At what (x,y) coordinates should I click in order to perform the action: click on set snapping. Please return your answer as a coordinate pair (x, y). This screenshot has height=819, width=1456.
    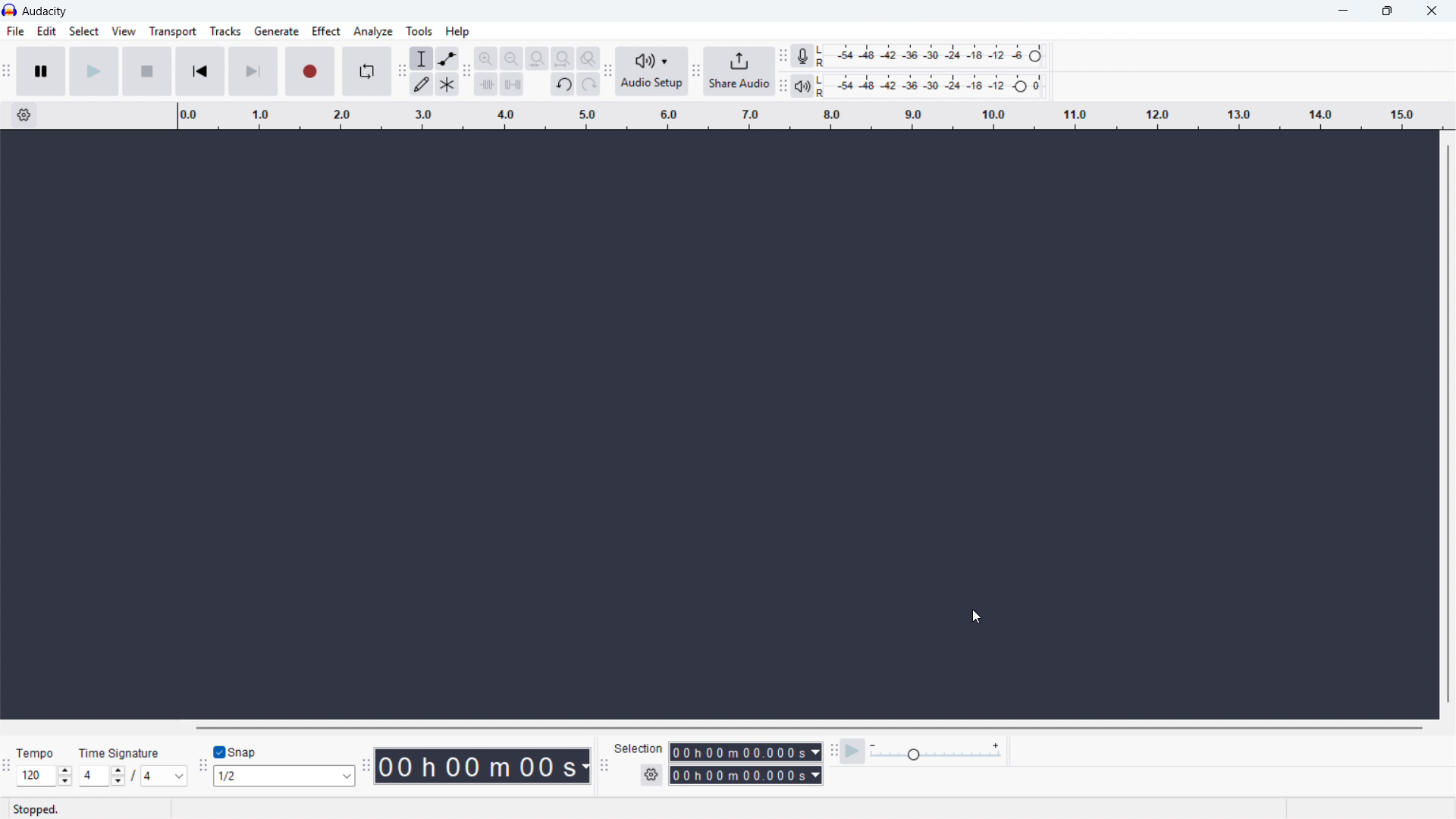
    Looking at the image, I should click on (283, 776).